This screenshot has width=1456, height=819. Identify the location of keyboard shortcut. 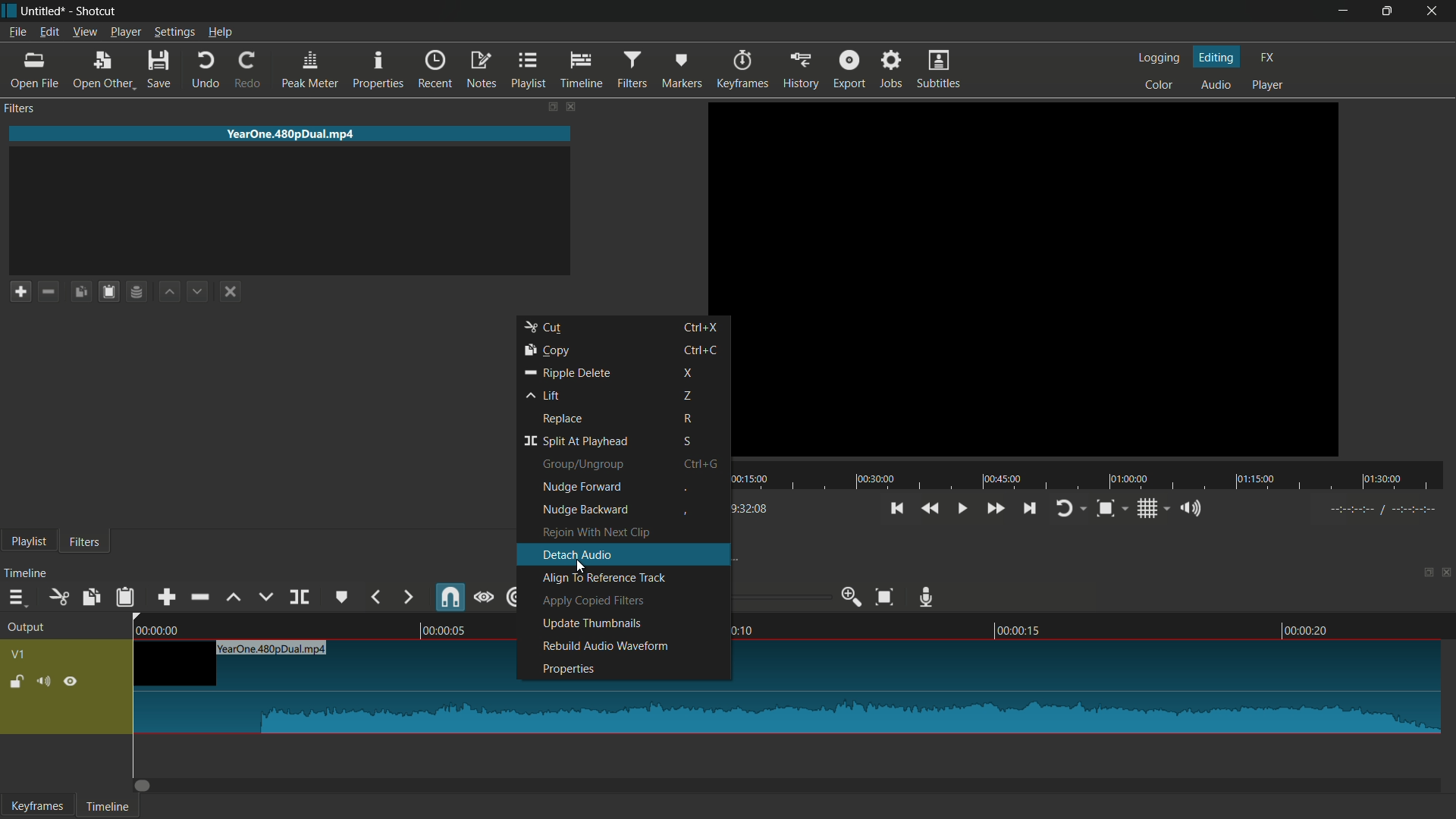
(686, 397).